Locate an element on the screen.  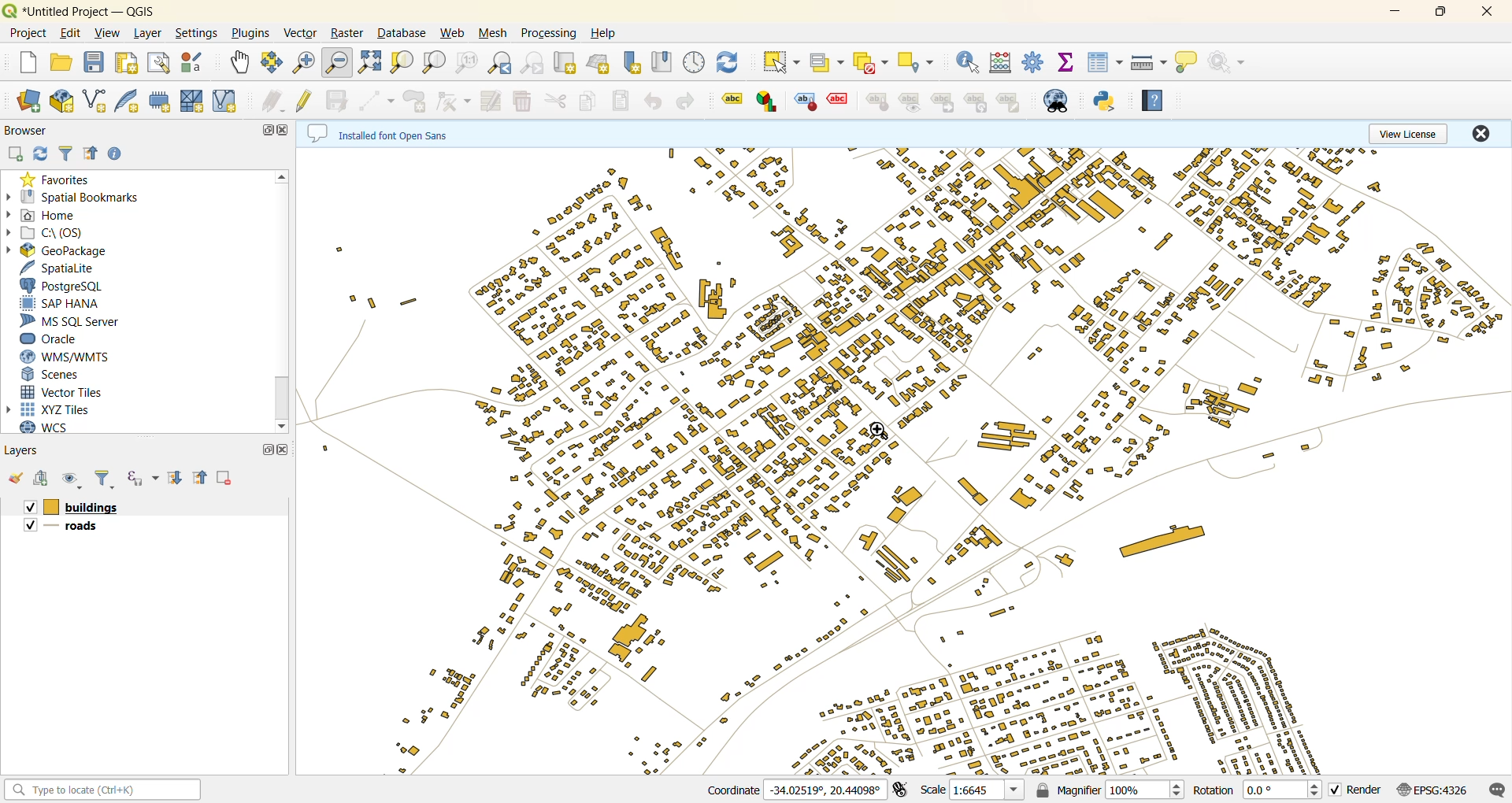
refresh is located at coordinates (42, 153).